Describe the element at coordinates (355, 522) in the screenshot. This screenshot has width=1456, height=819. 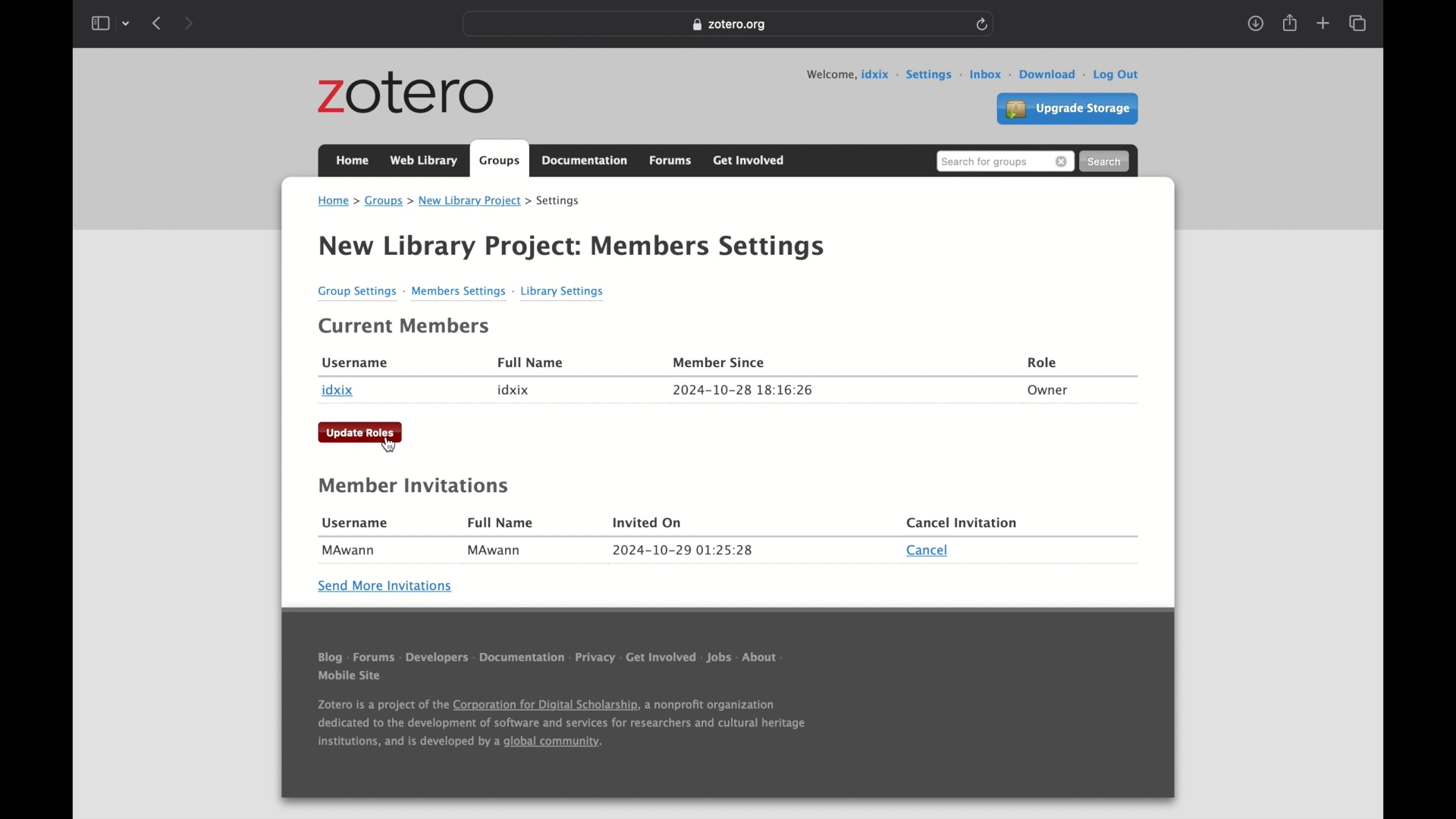
I see `username` at that location.